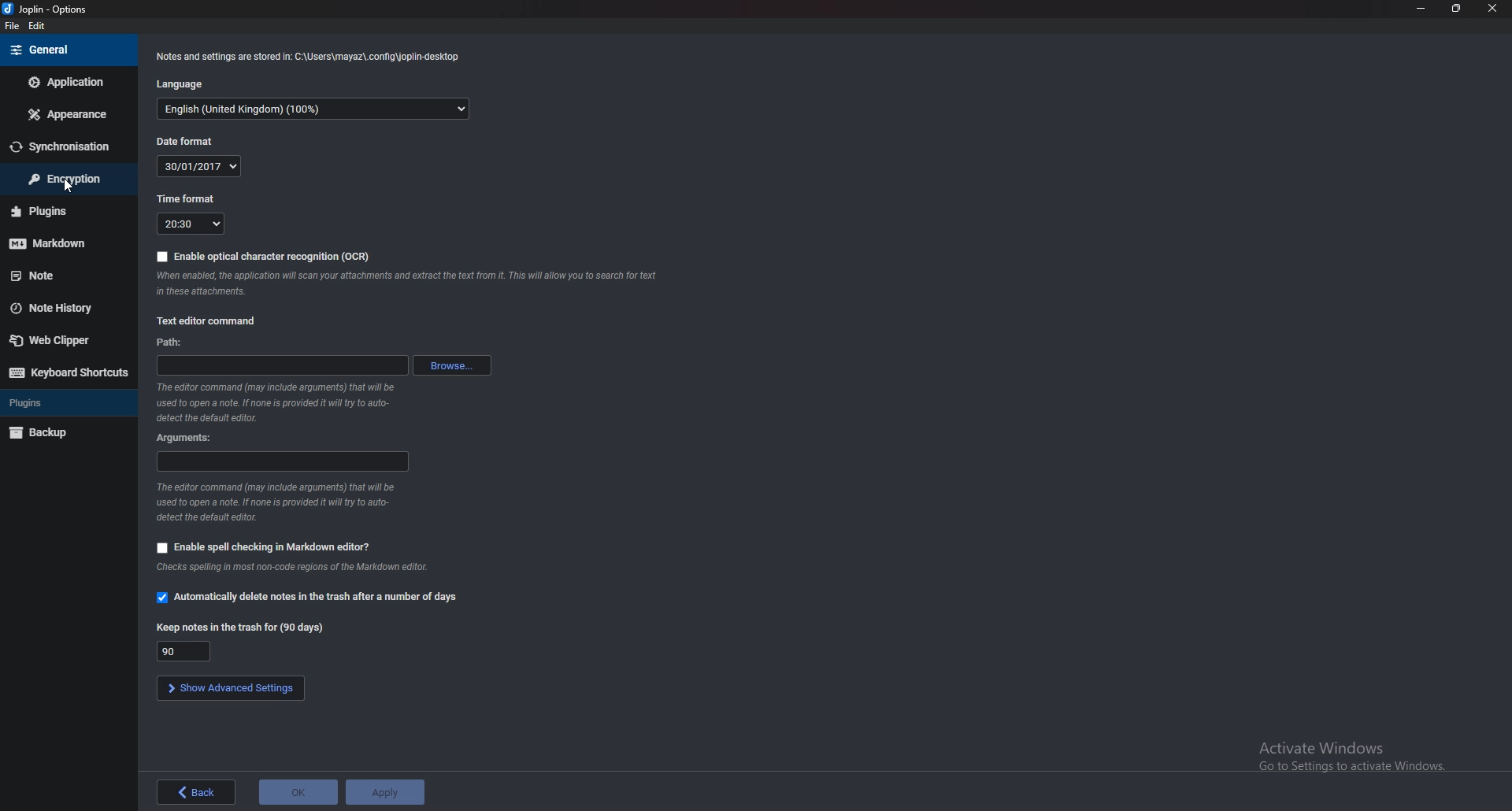  What do you see at coordinates (64, 80) in the screenshot?
I see `application` at bounding box center [64, 80].